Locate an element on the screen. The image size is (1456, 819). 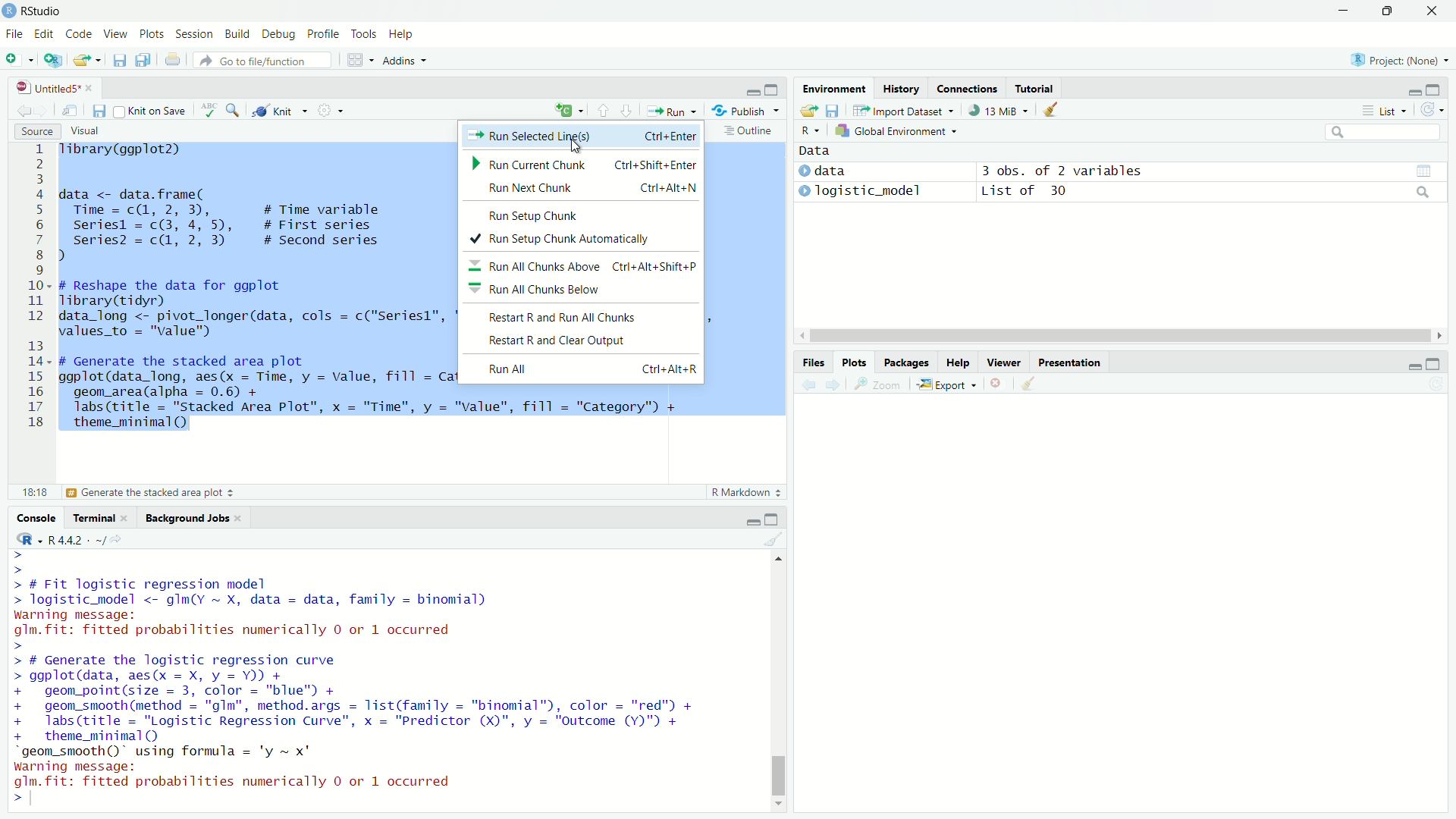
List is located at coordinates (1387, 111).